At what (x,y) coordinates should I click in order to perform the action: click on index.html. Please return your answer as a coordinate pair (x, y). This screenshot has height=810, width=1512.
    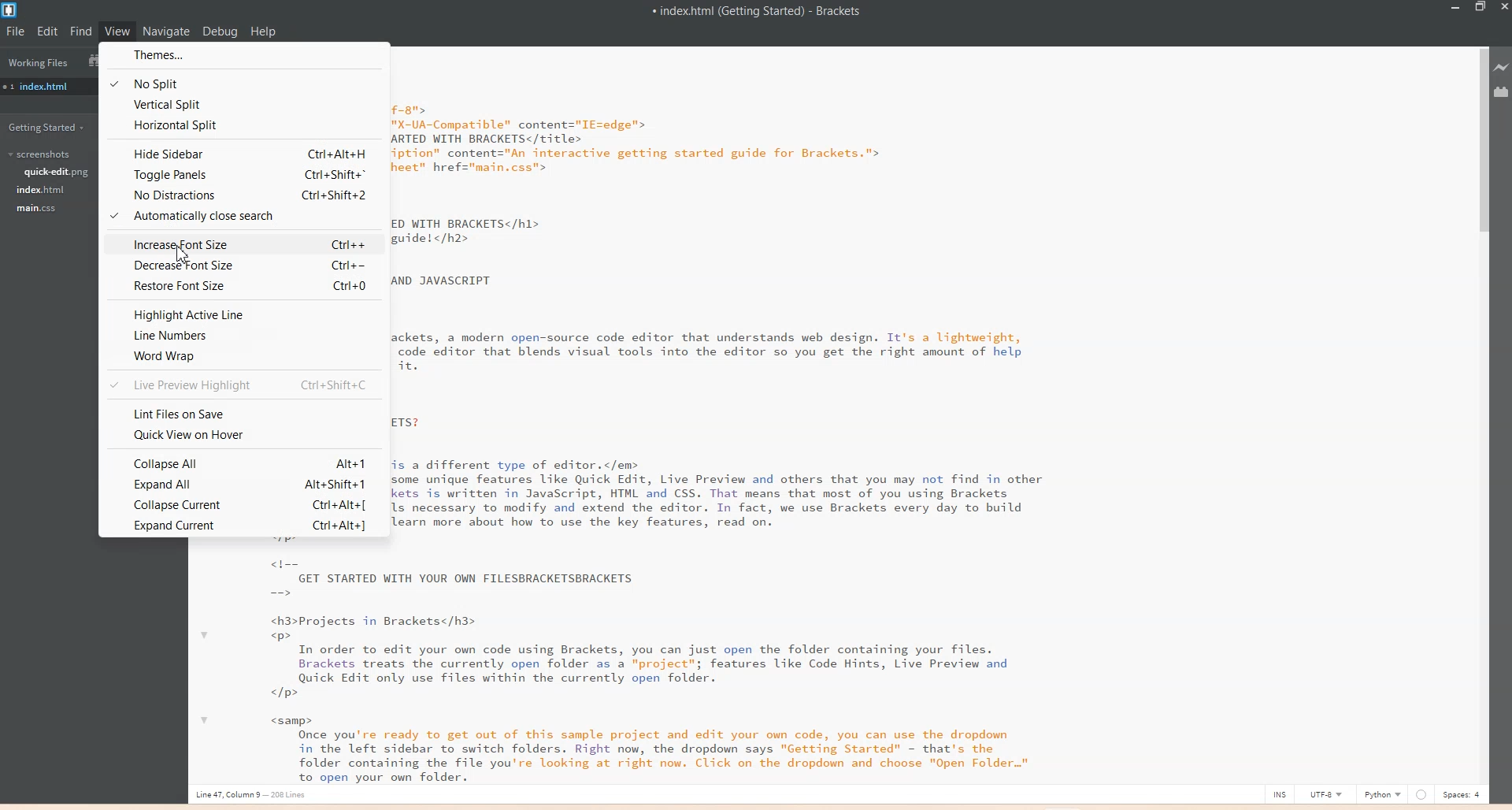
    Looking at the image, I should click on (42, 190).